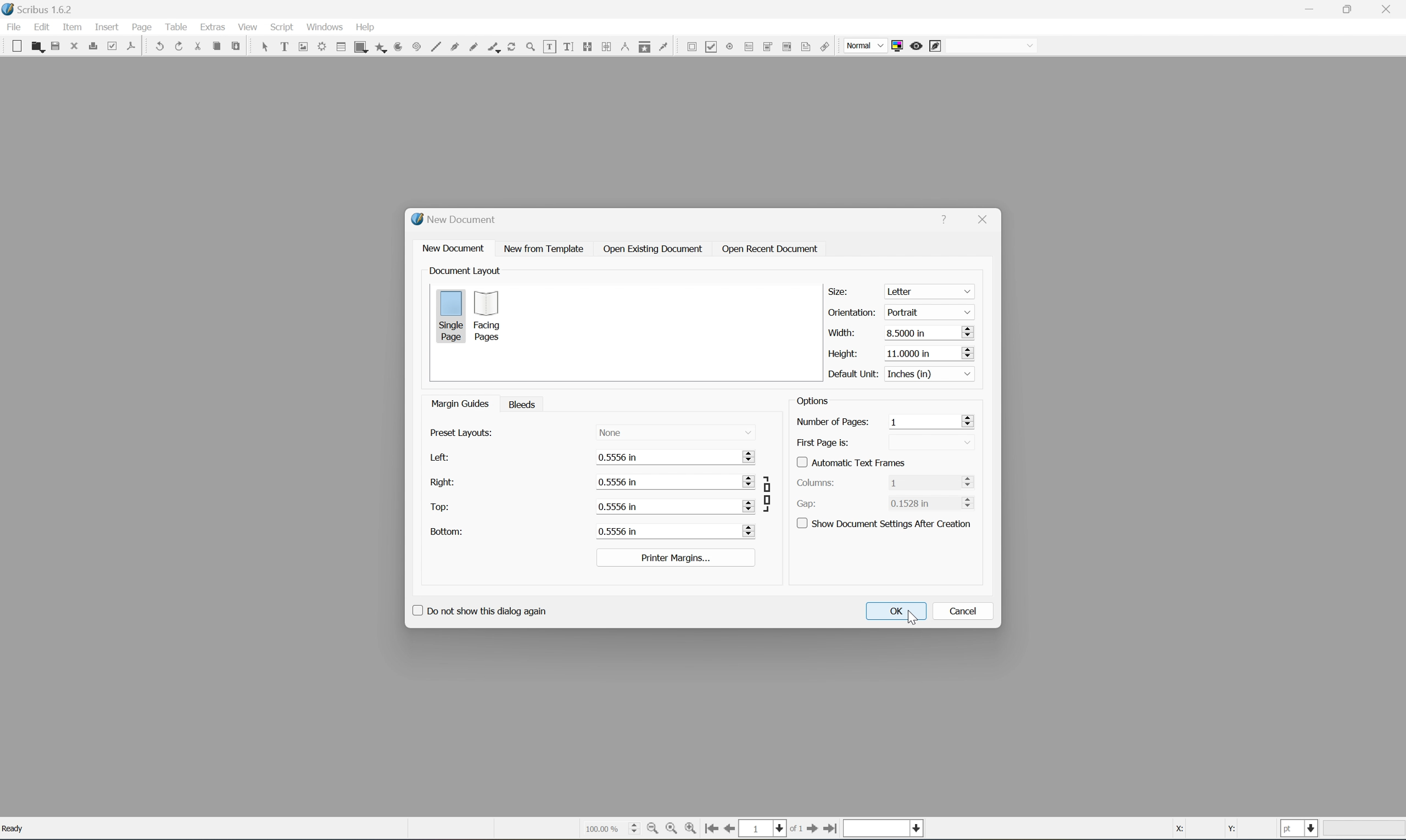 The height and width of the screenshot is (840, 1406). Describe the element at coordinates (451, 530) in the screenshot. I see `button:` at that location.